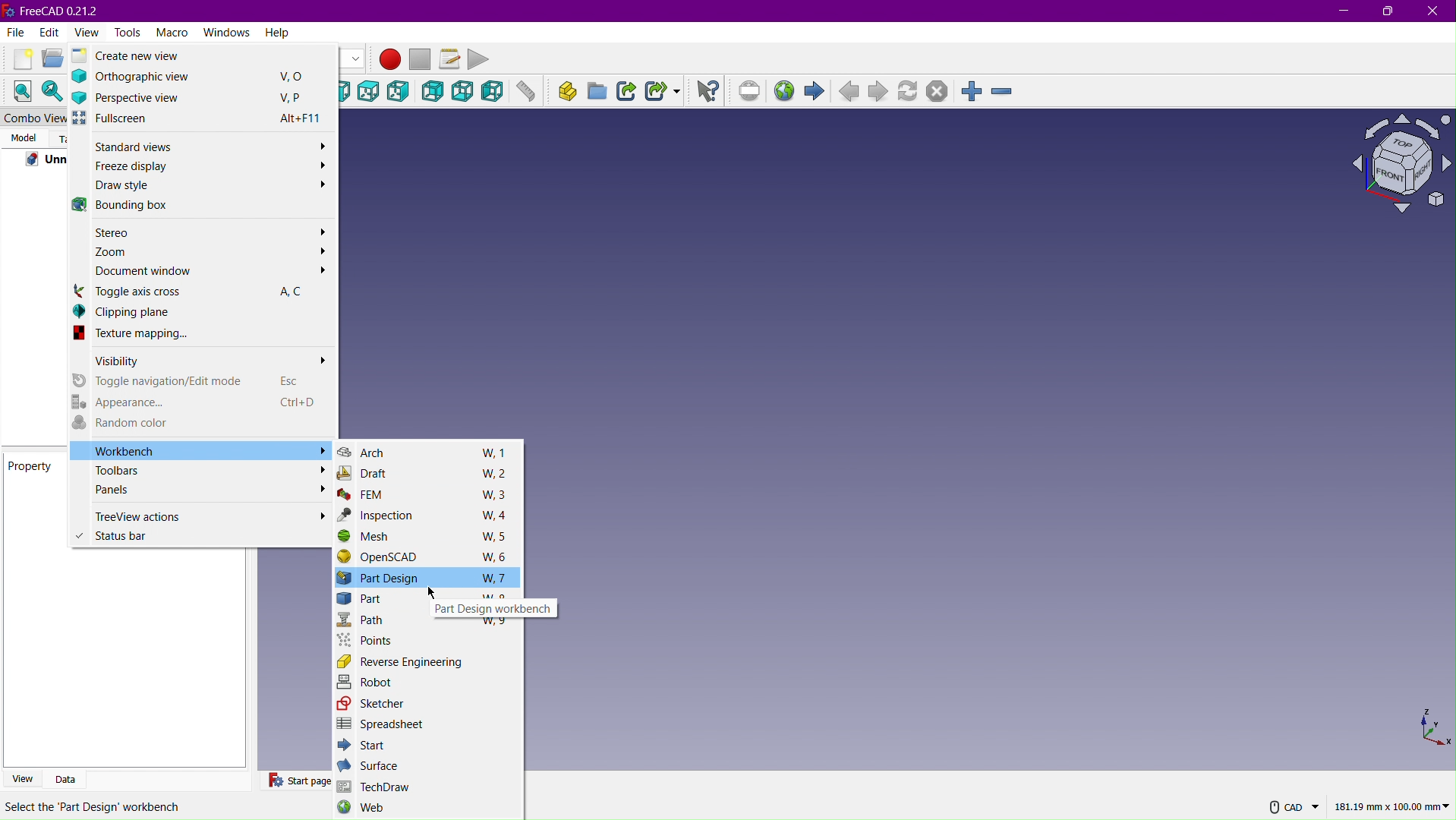 The width and height of the screenshot is (1456, 820). Describe the element at coordinates (430, 450) in the screenshot. I see `Arch W, 1` at that location.